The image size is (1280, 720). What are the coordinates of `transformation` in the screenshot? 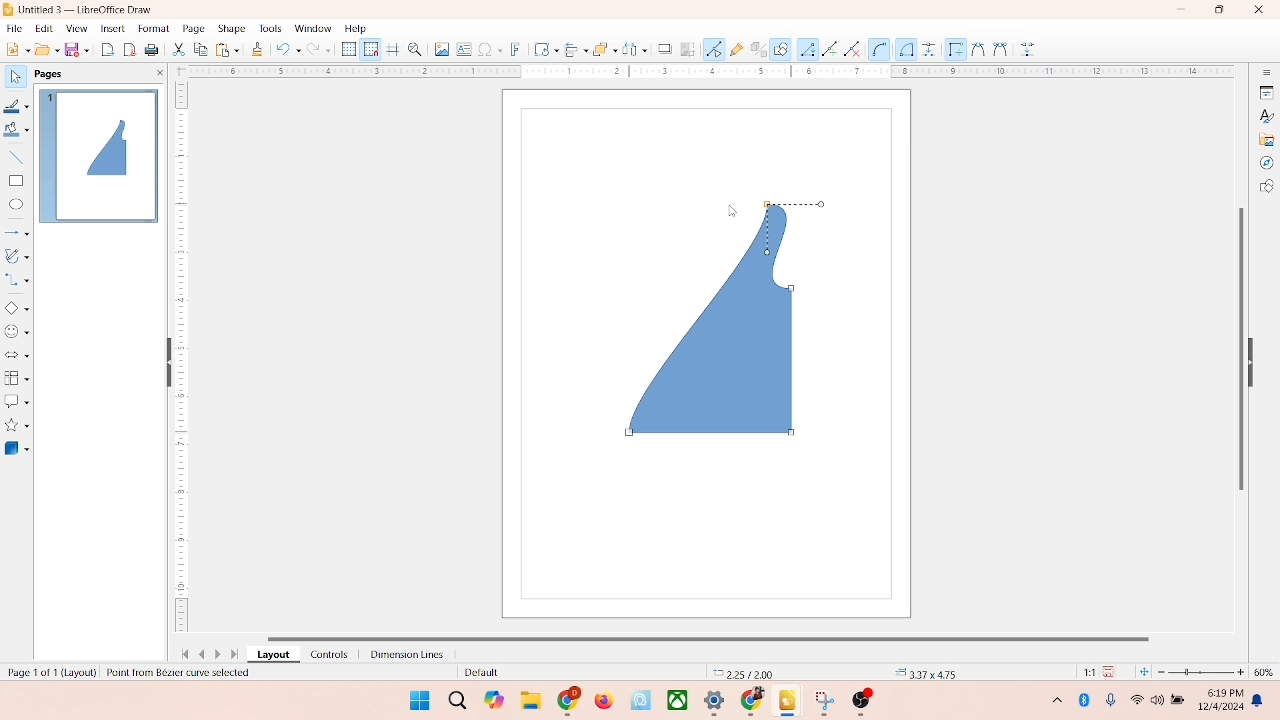 It's located at (541, 49).